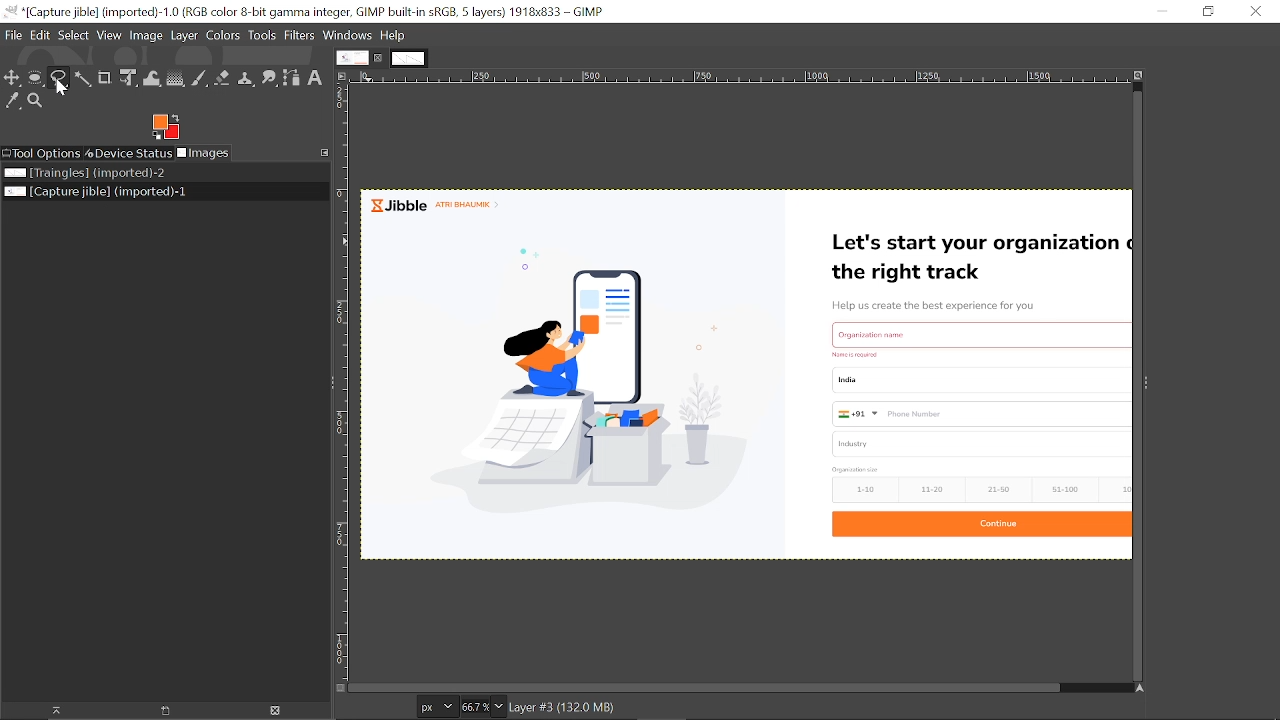 The height and width of the screenshot is (720, 1280). I want to click on Restore down, so click(1207, 11).